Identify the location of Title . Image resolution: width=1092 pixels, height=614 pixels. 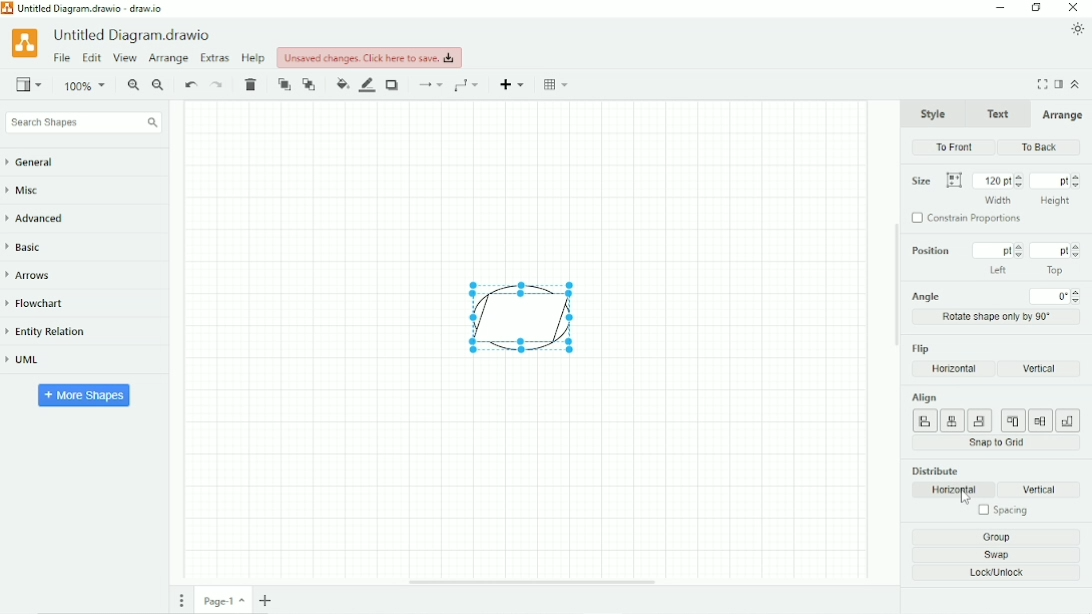
(89, 8).